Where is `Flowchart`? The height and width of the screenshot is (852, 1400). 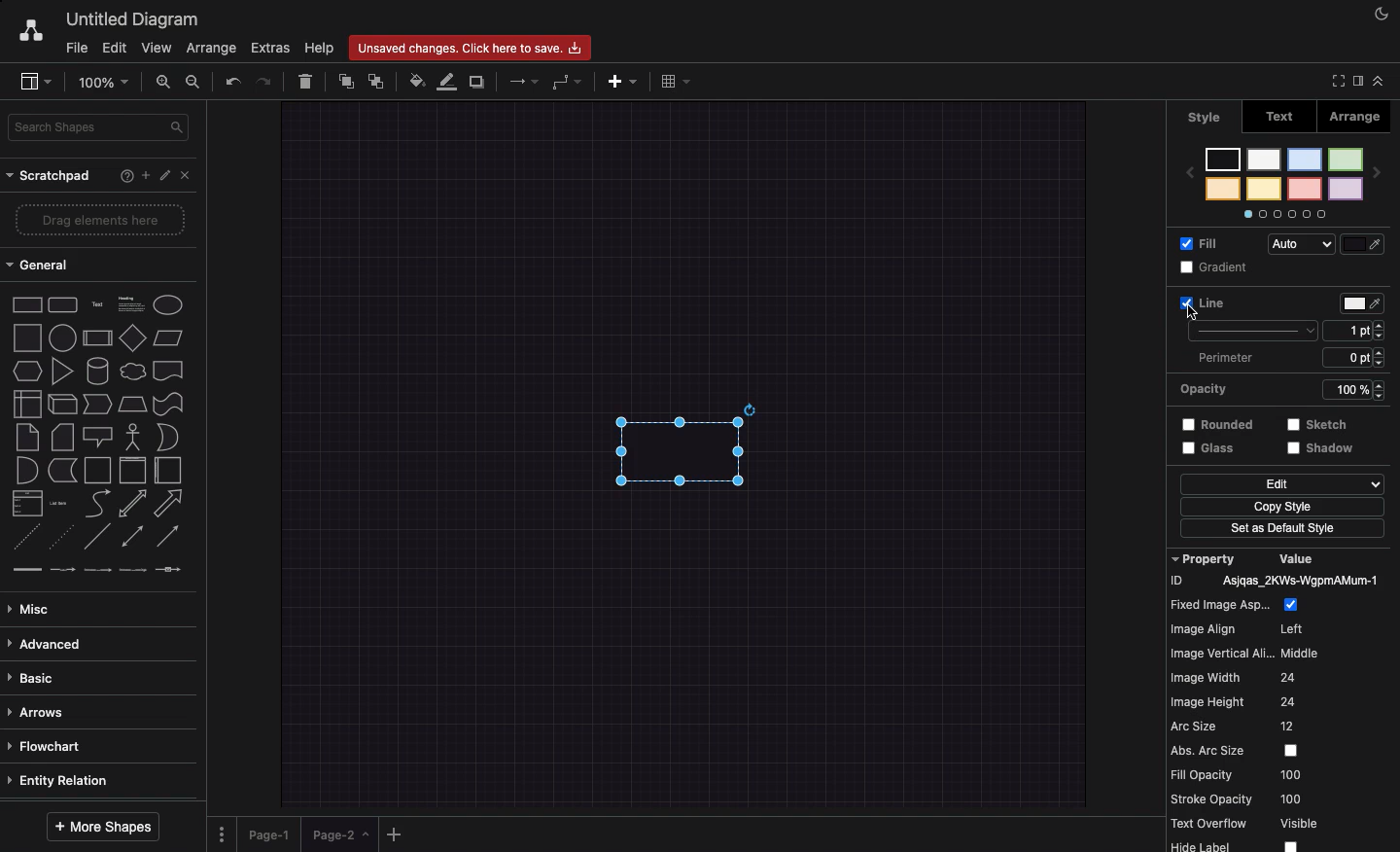 Flowchart is located at coordinates (48, 745).